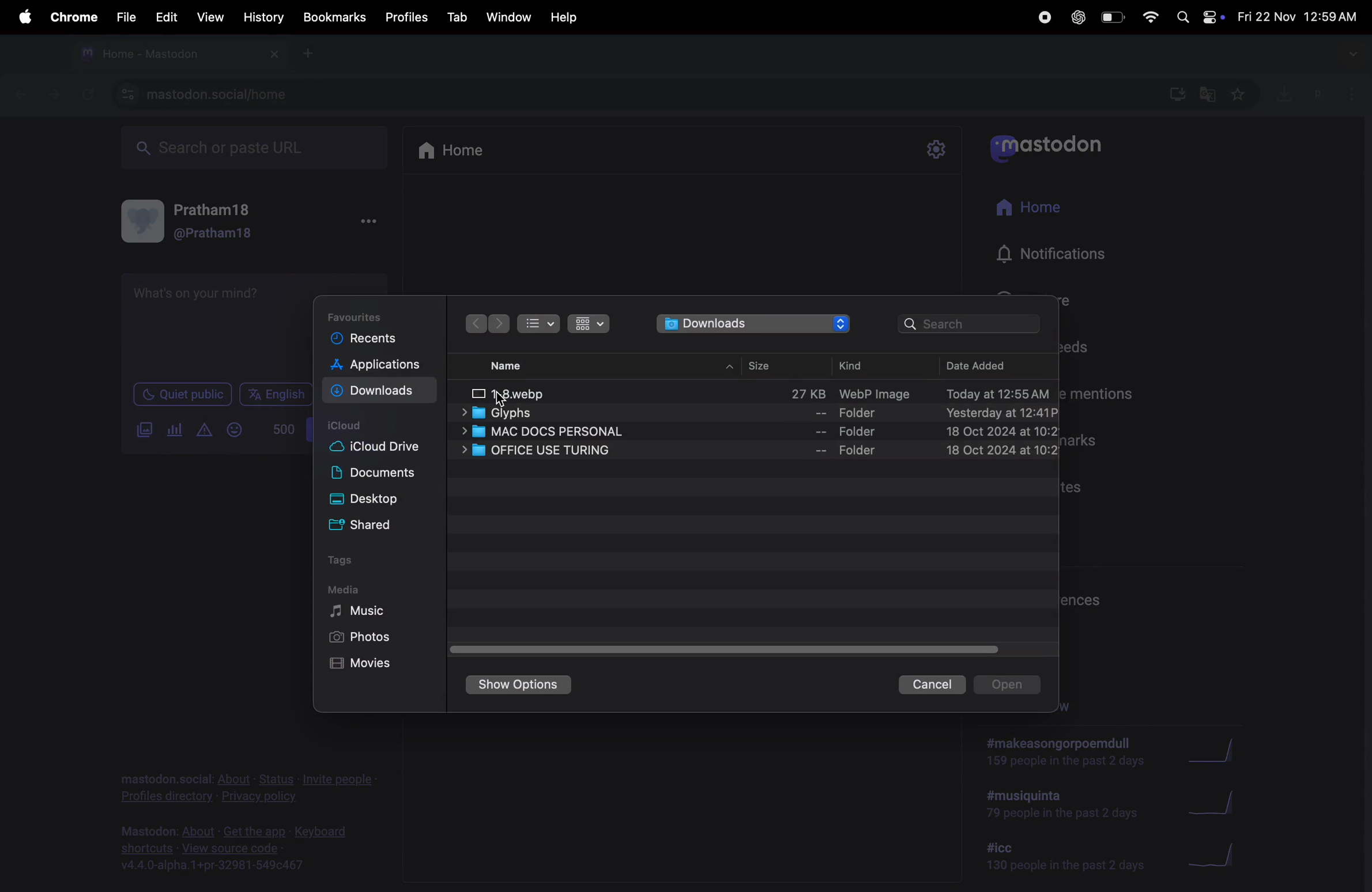 The image size is (1372, 892). Describe the element at coordinates (323, 832) in the screenshot. I see `keyboard` at that location.